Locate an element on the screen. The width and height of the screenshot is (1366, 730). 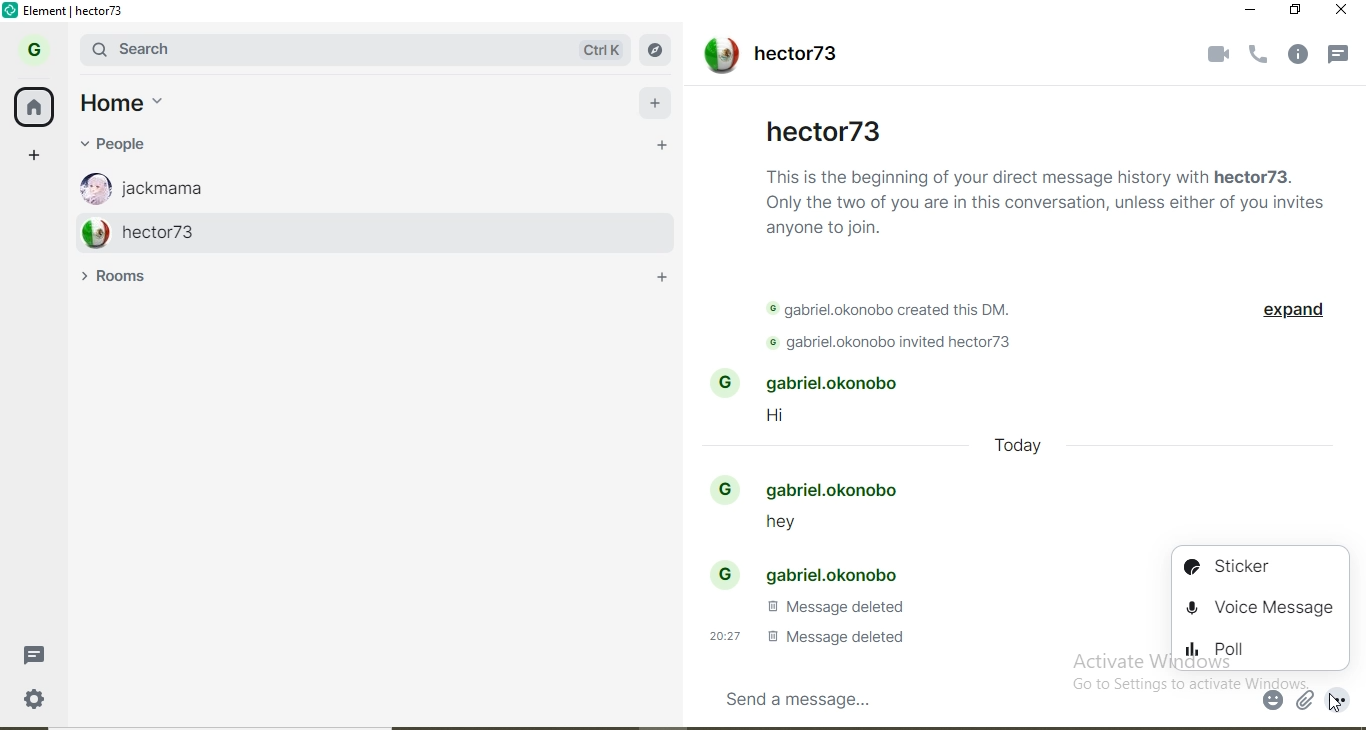
text 4 is located at coordinates (834, 607).